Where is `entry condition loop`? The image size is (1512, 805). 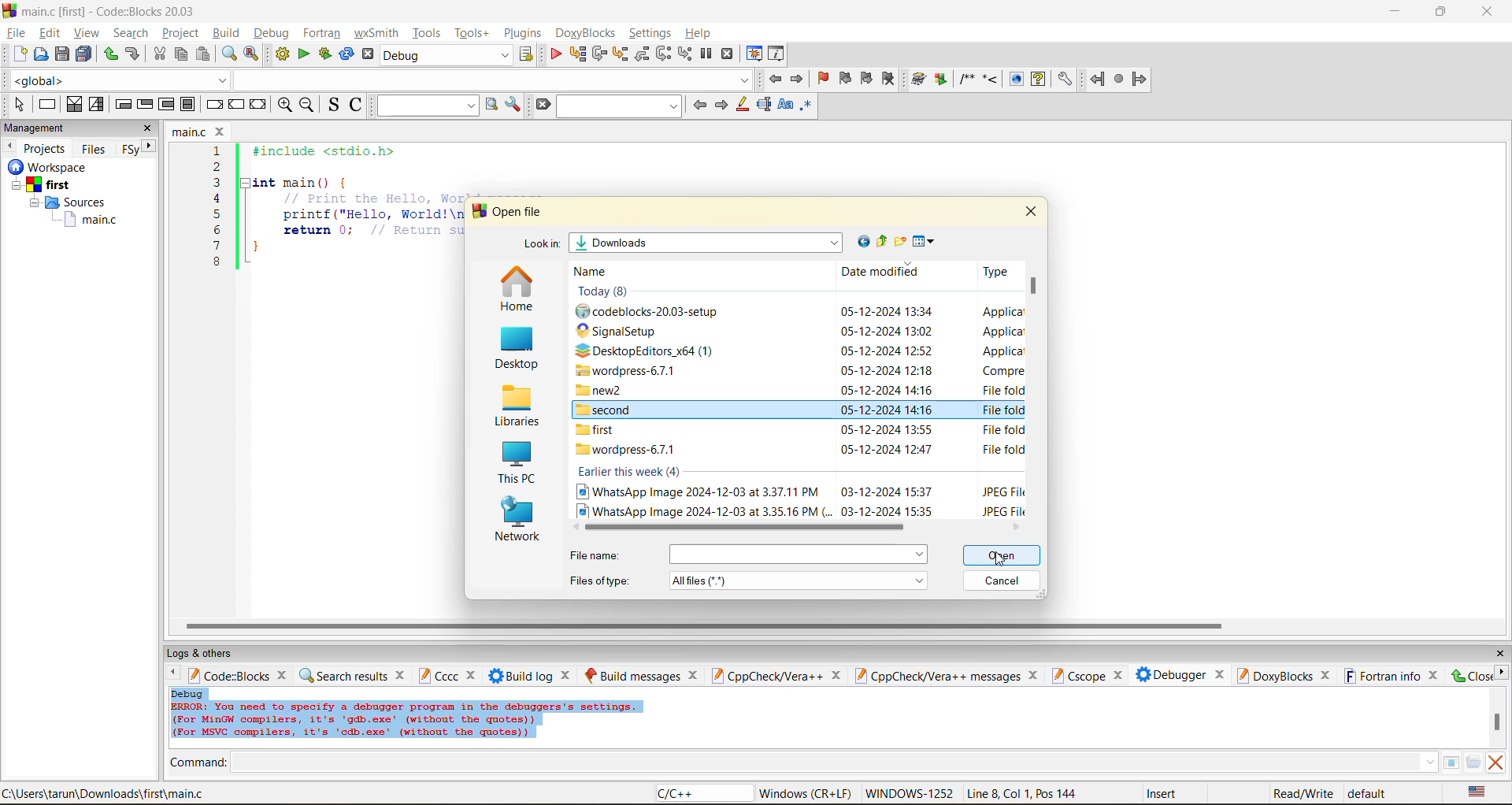 entry condition loop is located at coordinates (123, 104).